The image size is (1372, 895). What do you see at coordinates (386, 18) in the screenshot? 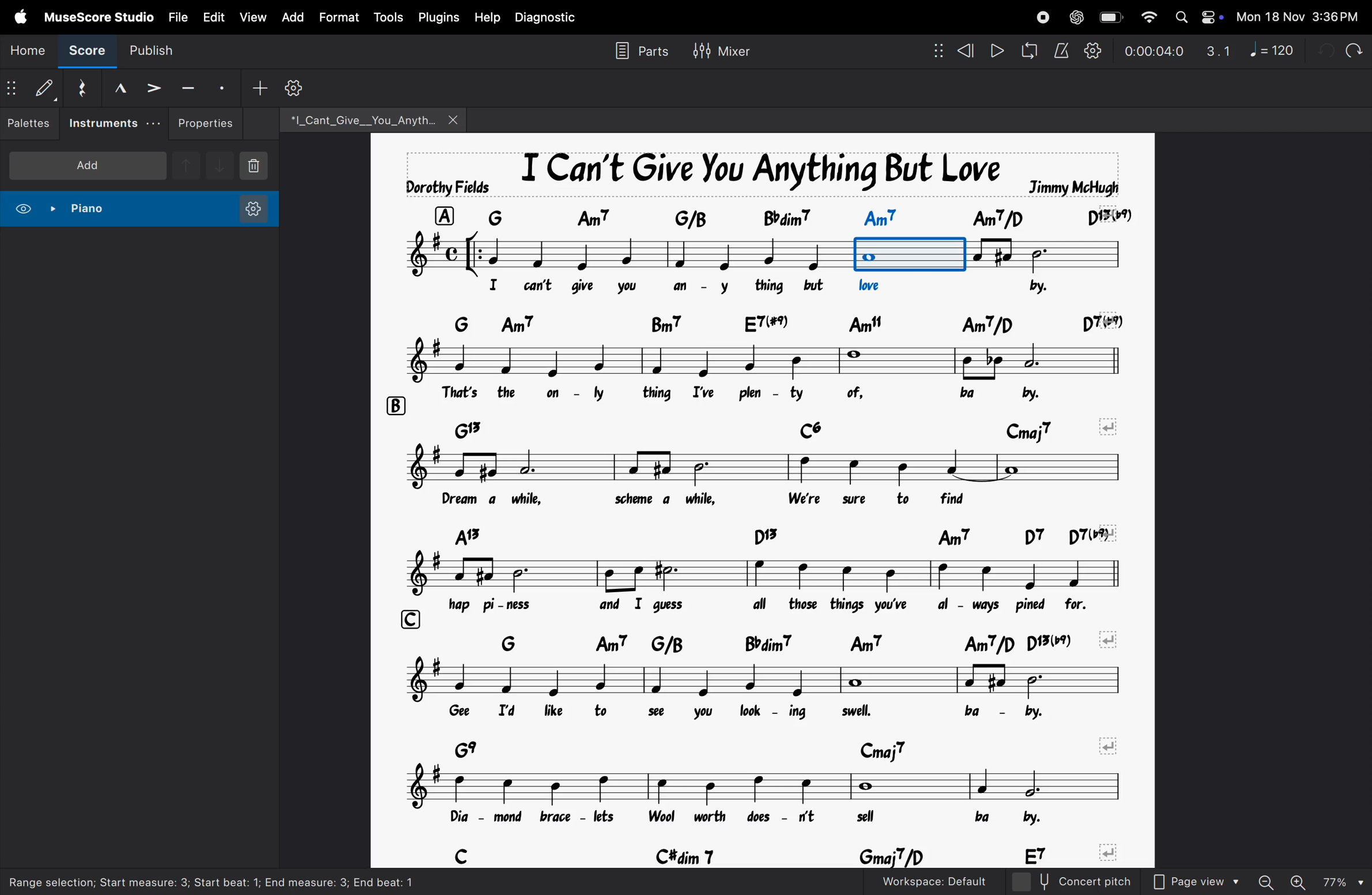
I see `tools` at bounding box center [386, 18].